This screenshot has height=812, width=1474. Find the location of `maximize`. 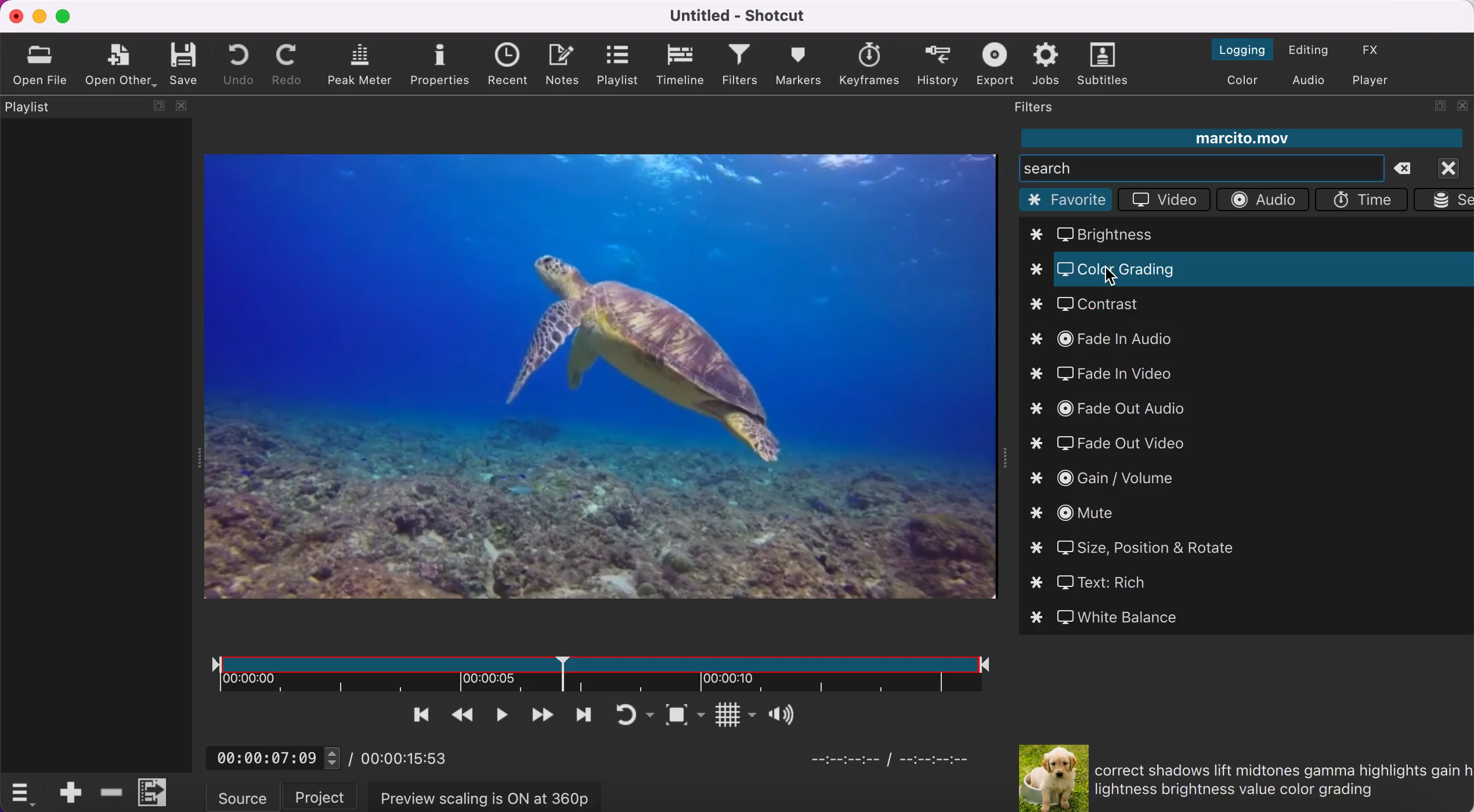

maximize is located at coordinates (1439, 108).